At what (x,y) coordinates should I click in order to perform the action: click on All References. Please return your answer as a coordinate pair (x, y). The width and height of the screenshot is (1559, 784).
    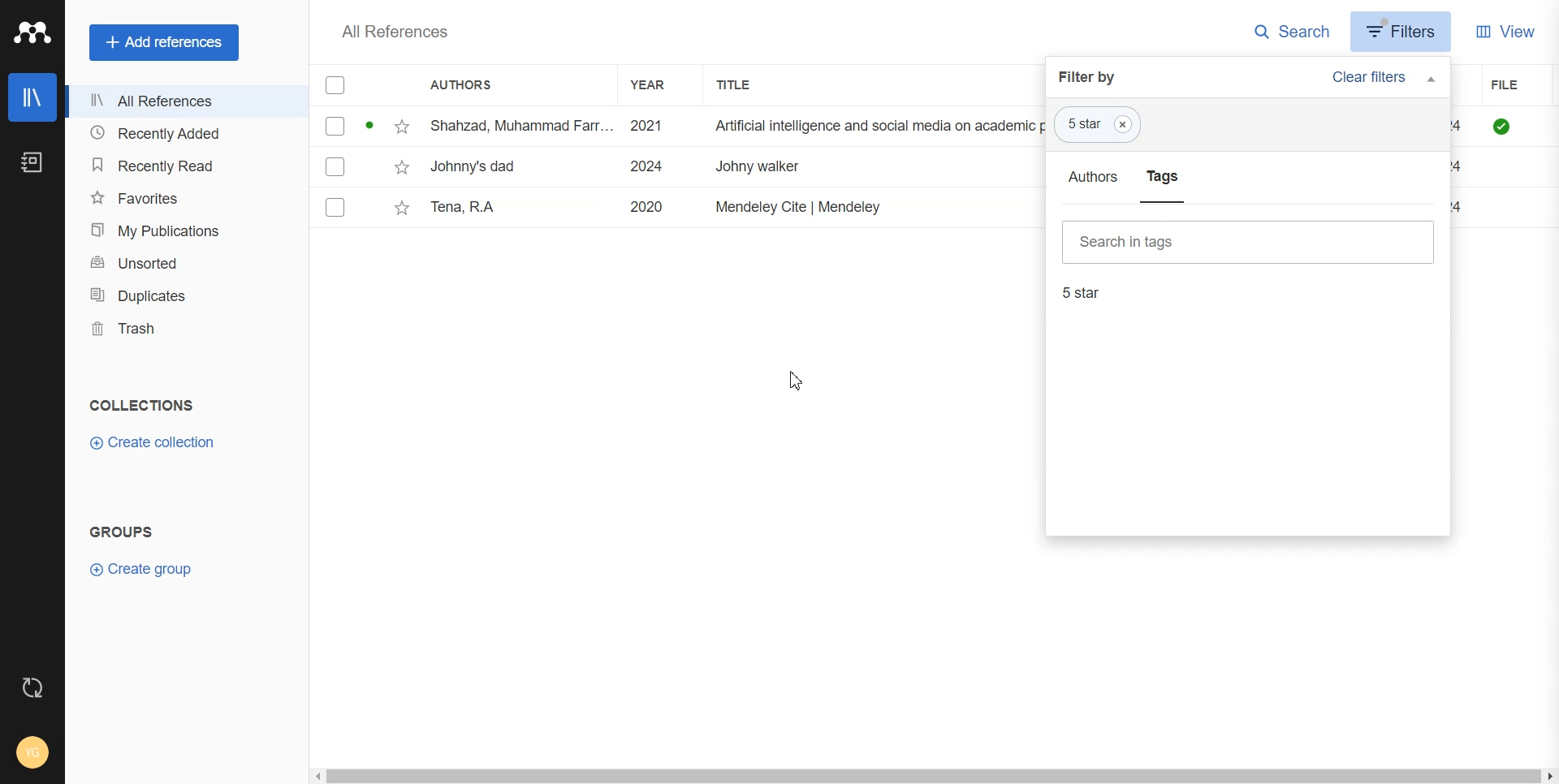
    Looking at the image, I should click on (184, 102).